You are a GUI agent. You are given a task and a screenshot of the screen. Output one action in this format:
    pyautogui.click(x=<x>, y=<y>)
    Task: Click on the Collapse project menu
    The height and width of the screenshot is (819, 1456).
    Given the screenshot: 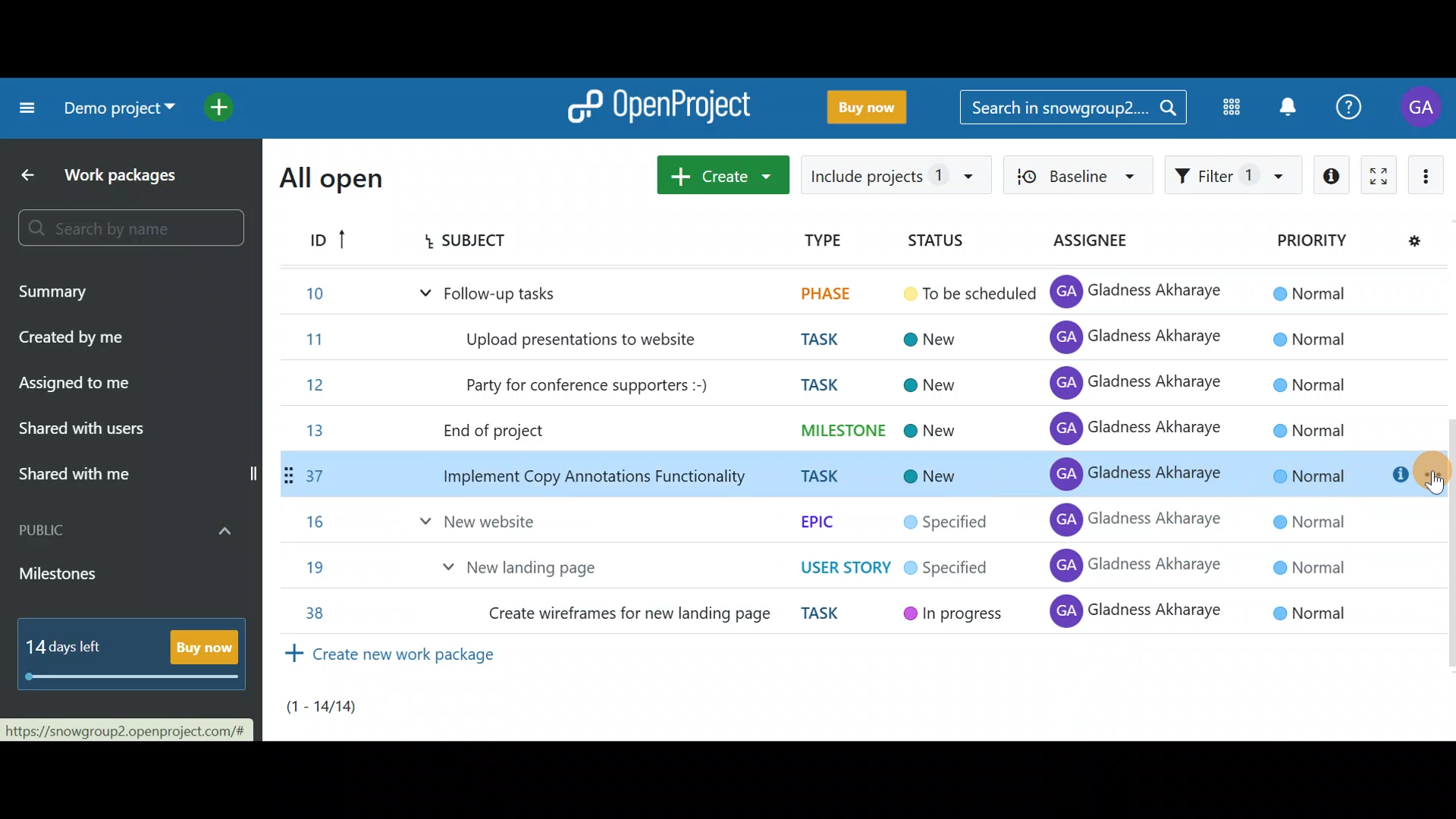 What is the action you would take?
    pyautogui.click(x=24, y=108)
    